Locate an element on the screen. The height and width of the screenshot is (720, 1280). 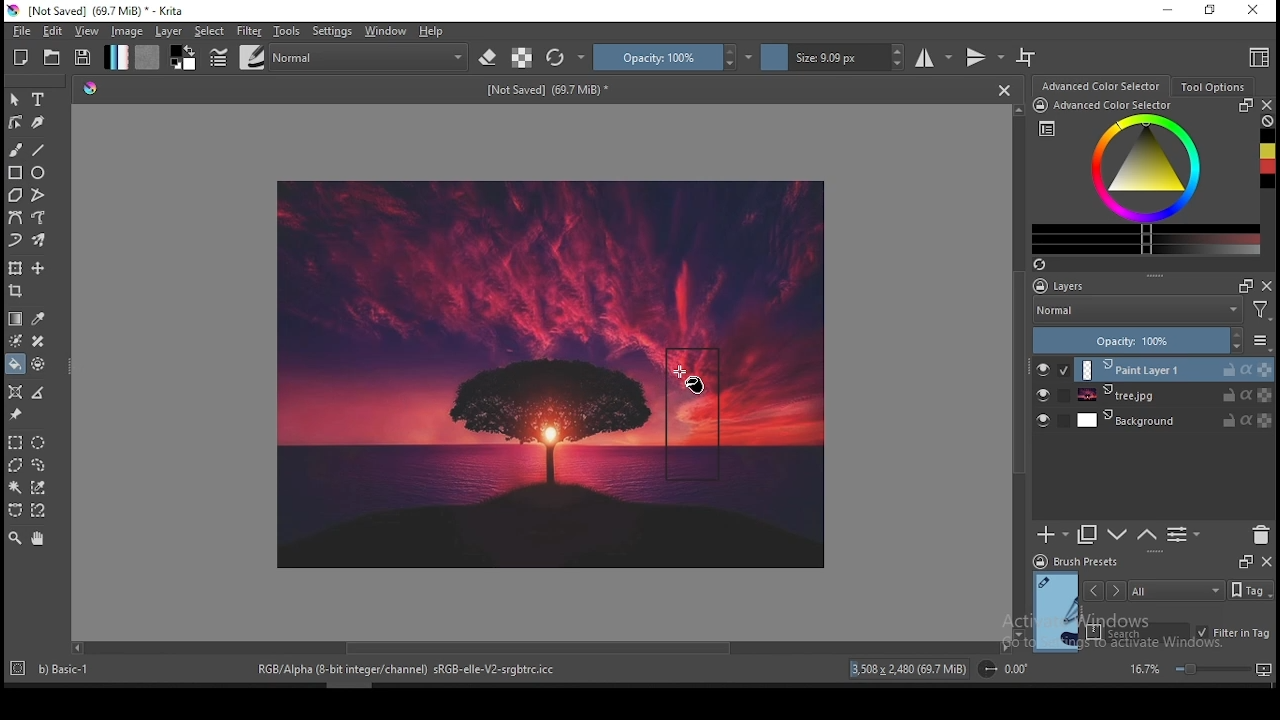
filter is located at coordinates (249, 30).